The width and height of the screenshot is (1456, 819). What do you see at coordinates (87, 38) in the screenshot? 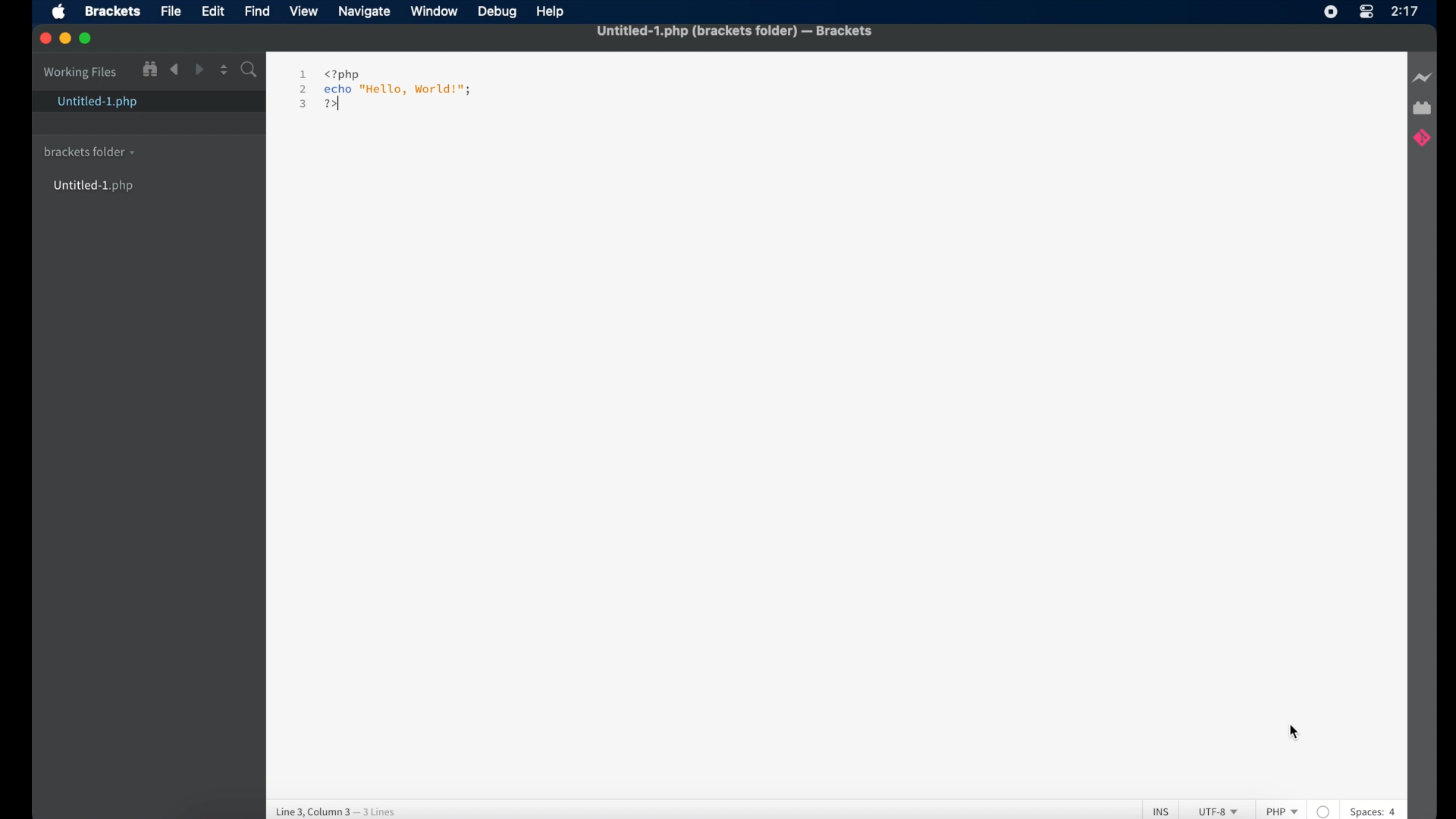
I see `maximize` at bounding box center [87, 38].